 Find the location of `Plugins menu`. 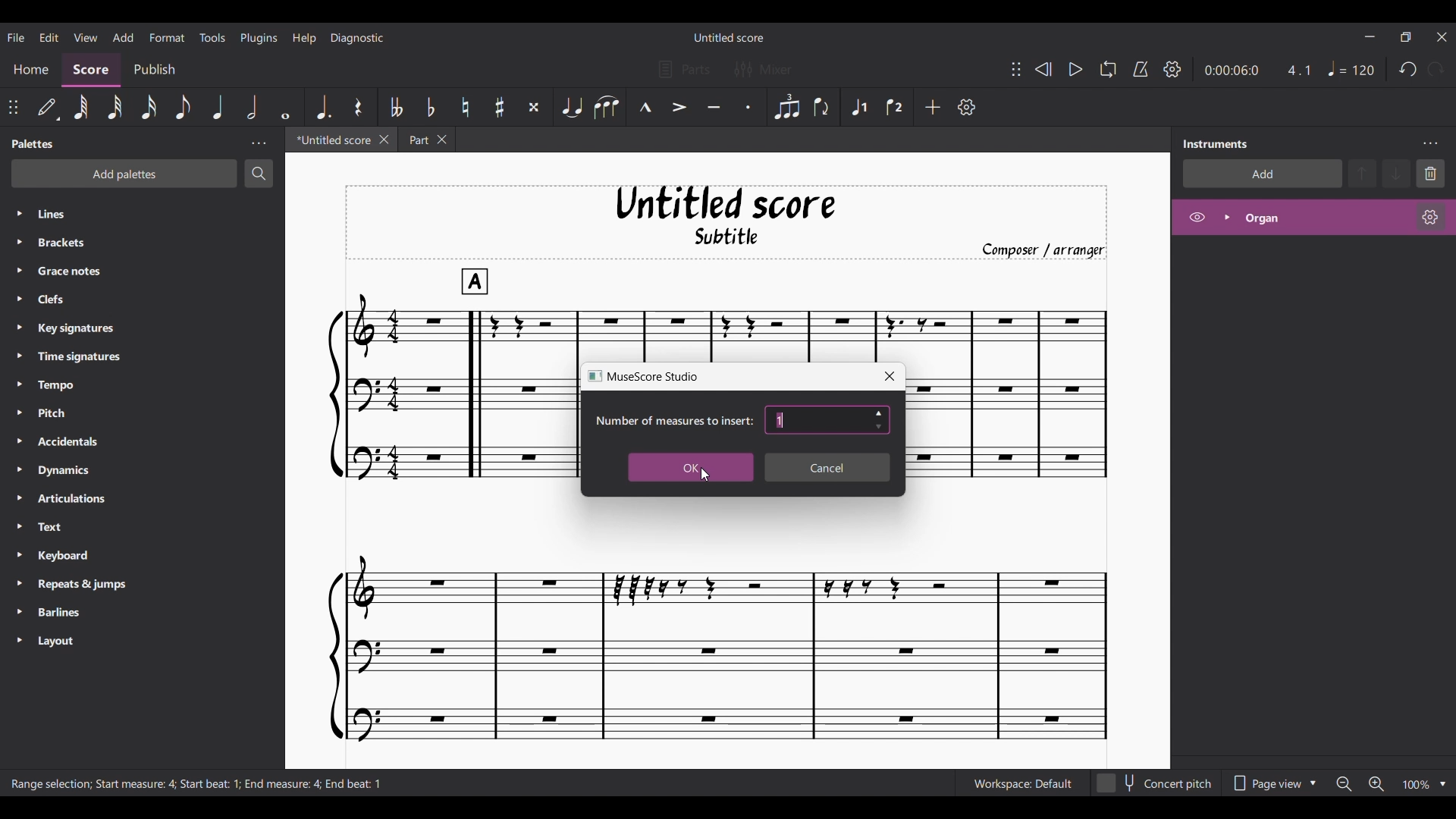

Plugins menu is located at coordinates (259, 37).